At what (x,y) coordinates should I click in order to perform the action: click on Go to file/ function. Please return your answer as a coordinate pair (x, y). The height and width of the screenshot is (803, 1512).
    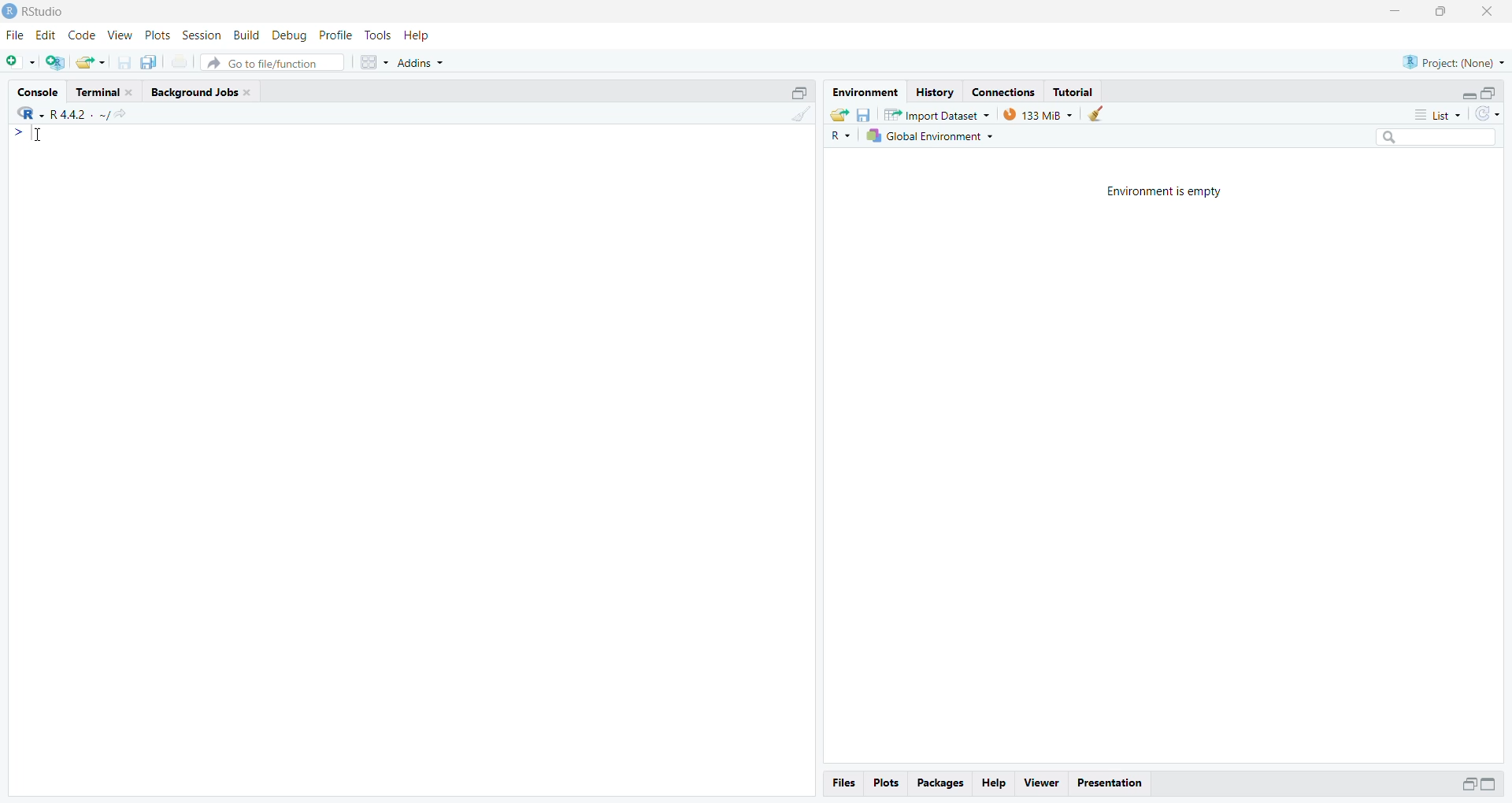
    Looking at the image, I should click on (270, 64).